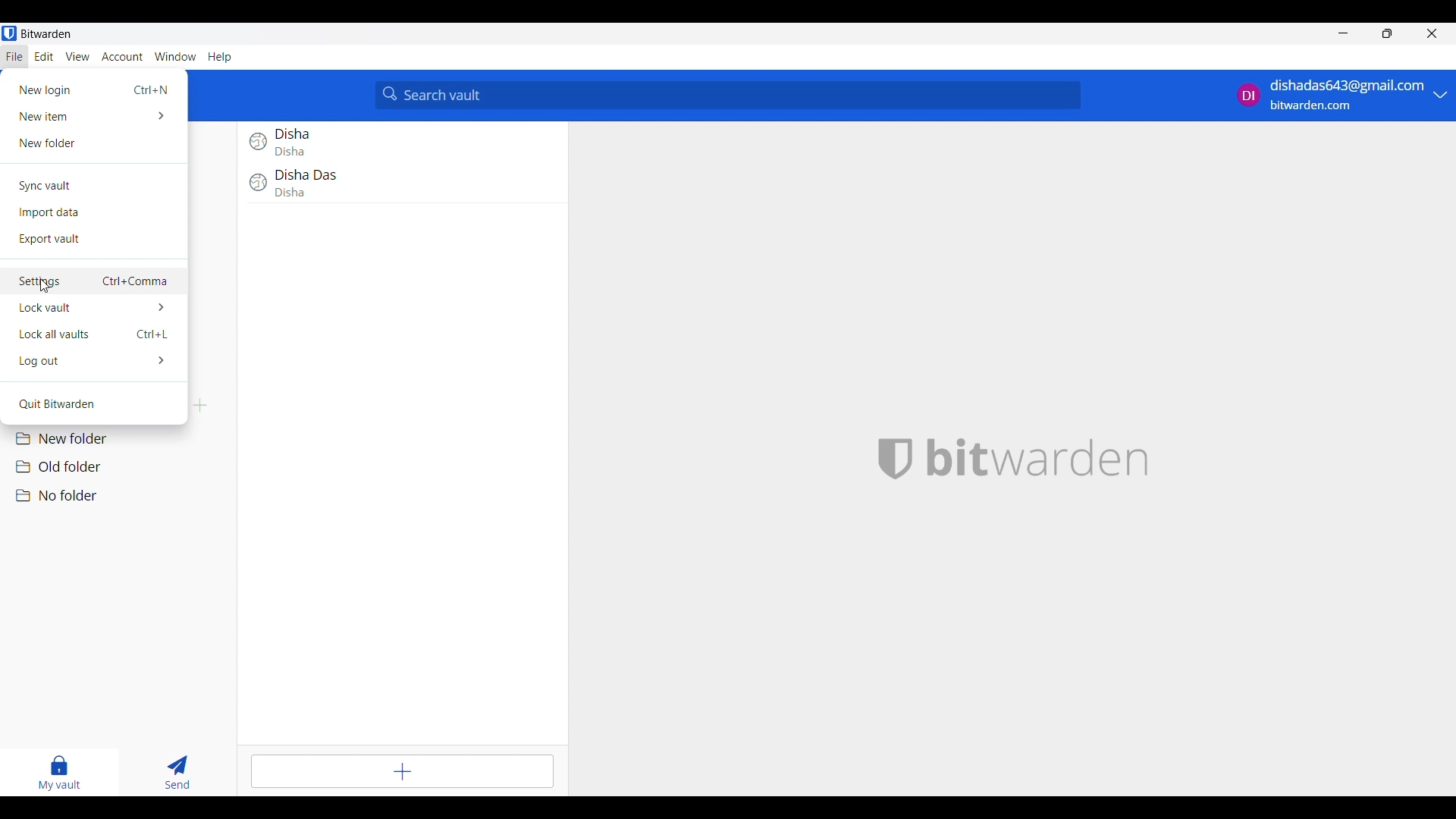  I want to click on No folder, so click(123, 496).